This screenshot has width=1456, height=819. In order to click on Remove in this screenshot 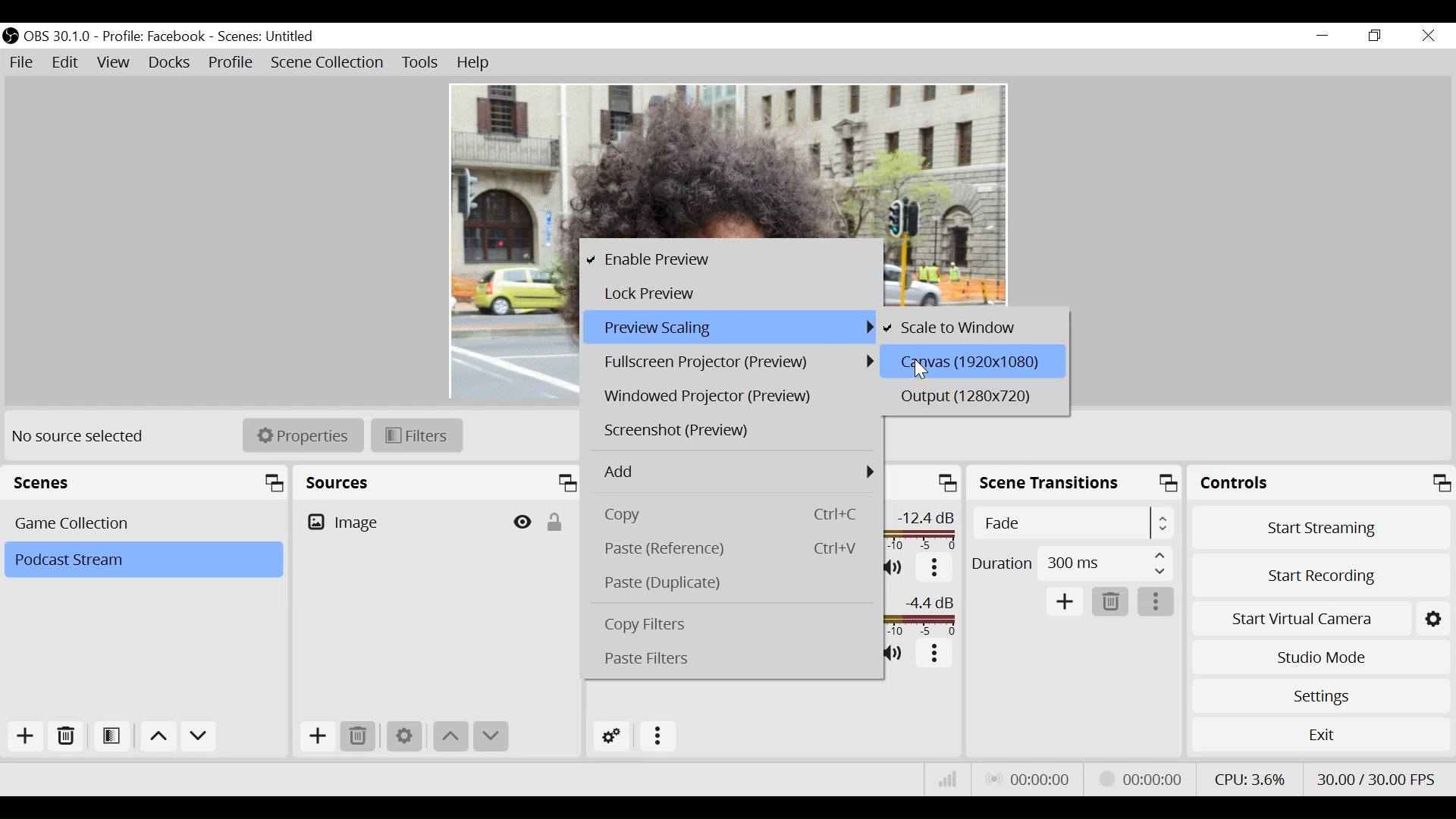, I will do `click(1112, 602)`.